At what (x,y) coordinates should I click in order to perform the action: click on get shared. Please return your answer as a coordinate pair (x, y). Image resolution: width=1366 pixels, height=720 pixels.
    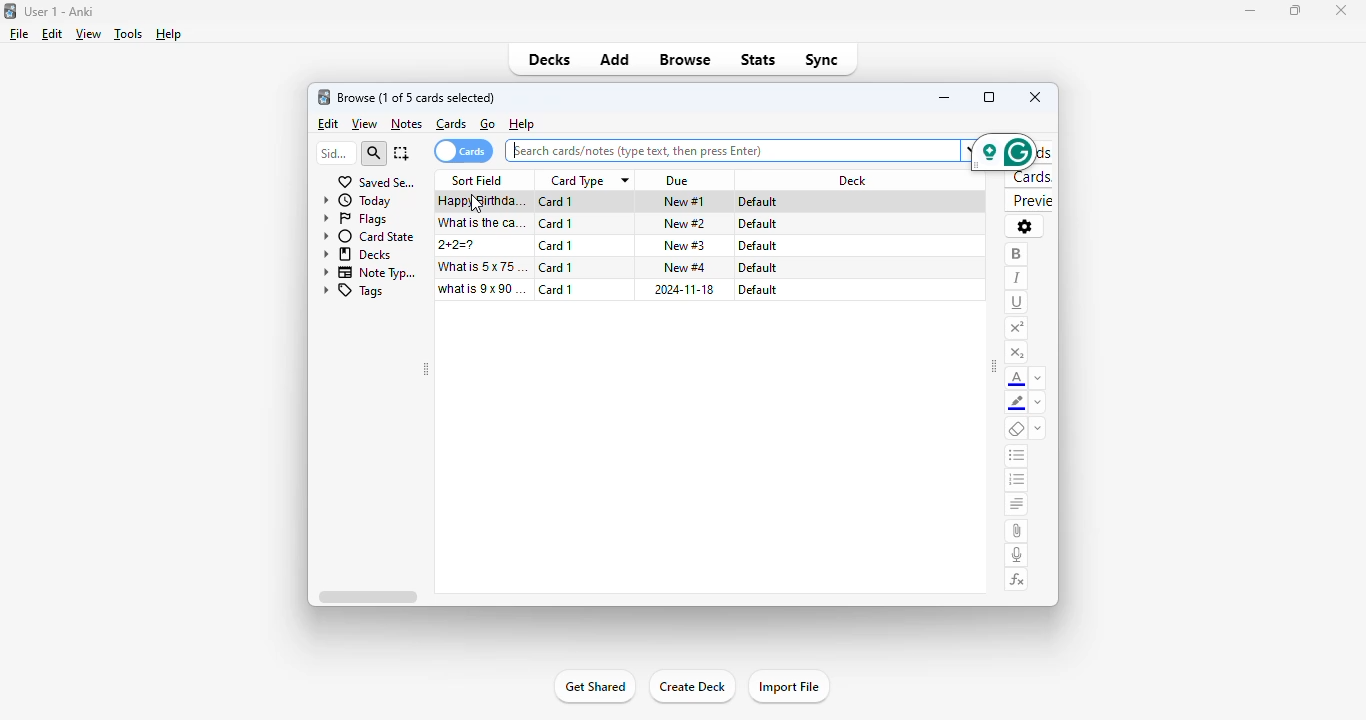
    Looking at the image, I should click on (596, 686).